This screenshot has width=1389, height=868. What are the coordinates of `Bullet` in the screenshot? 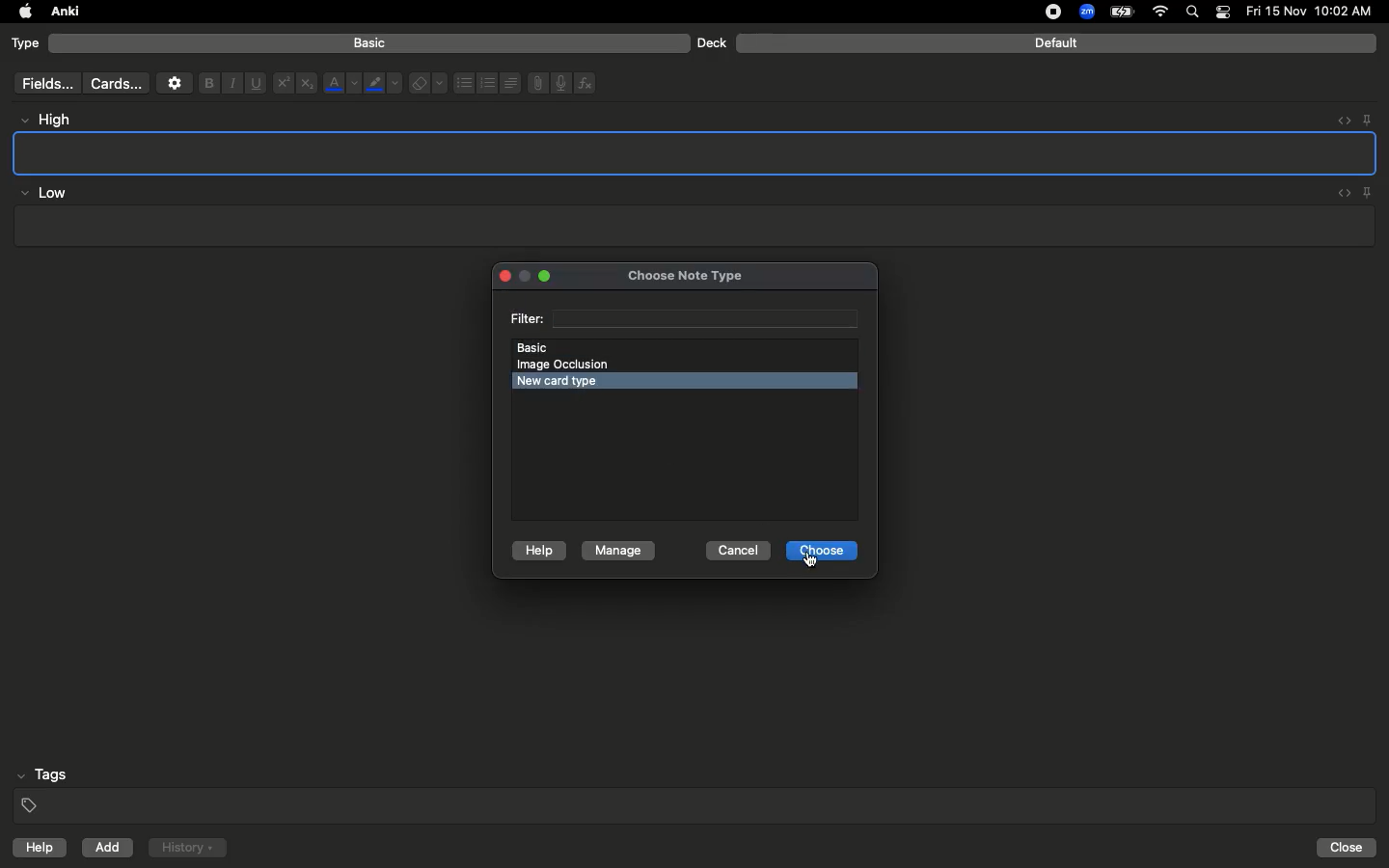 It's located at (463, 83).